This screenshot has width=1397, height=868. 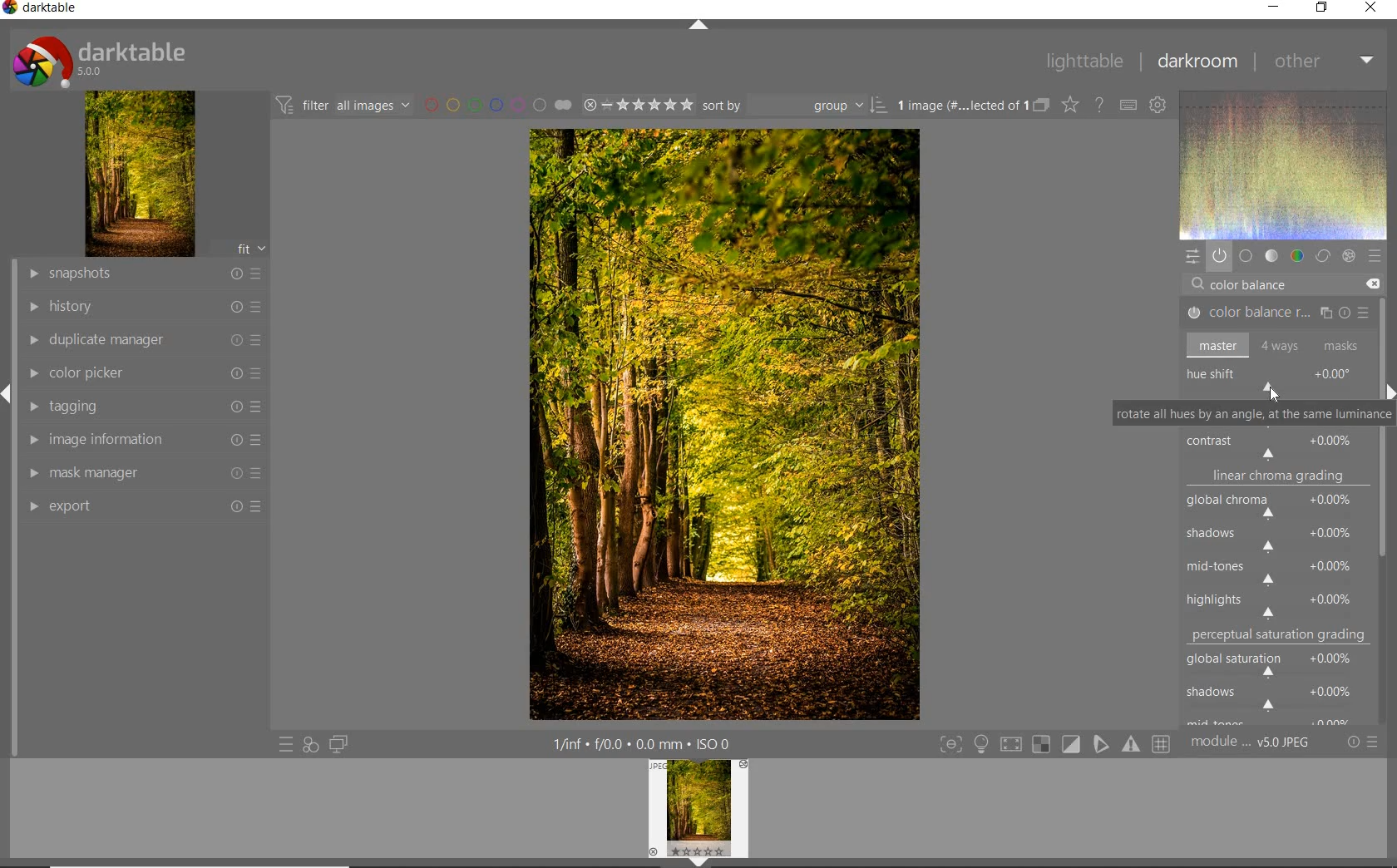 What do you see at coordinates (1322, 257) in the screenshot?
I see `correct` at bounding box center [1322, 257].